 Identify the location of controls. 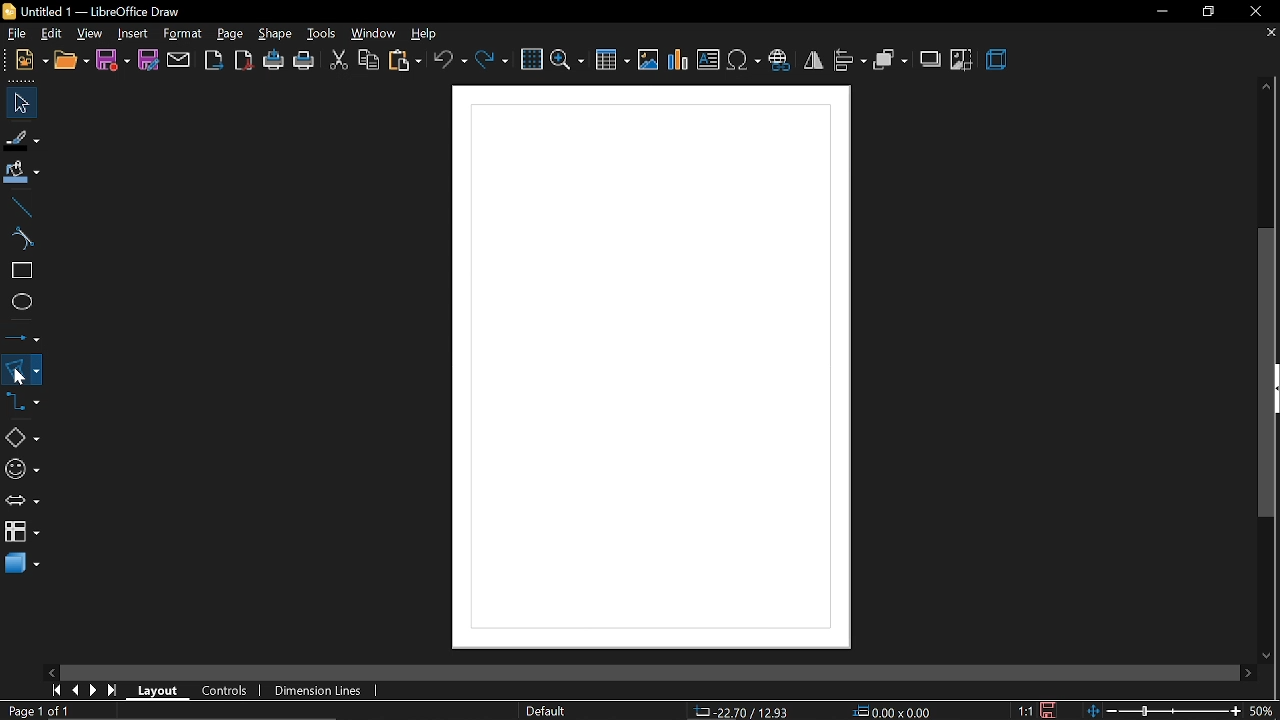
(230, 692).